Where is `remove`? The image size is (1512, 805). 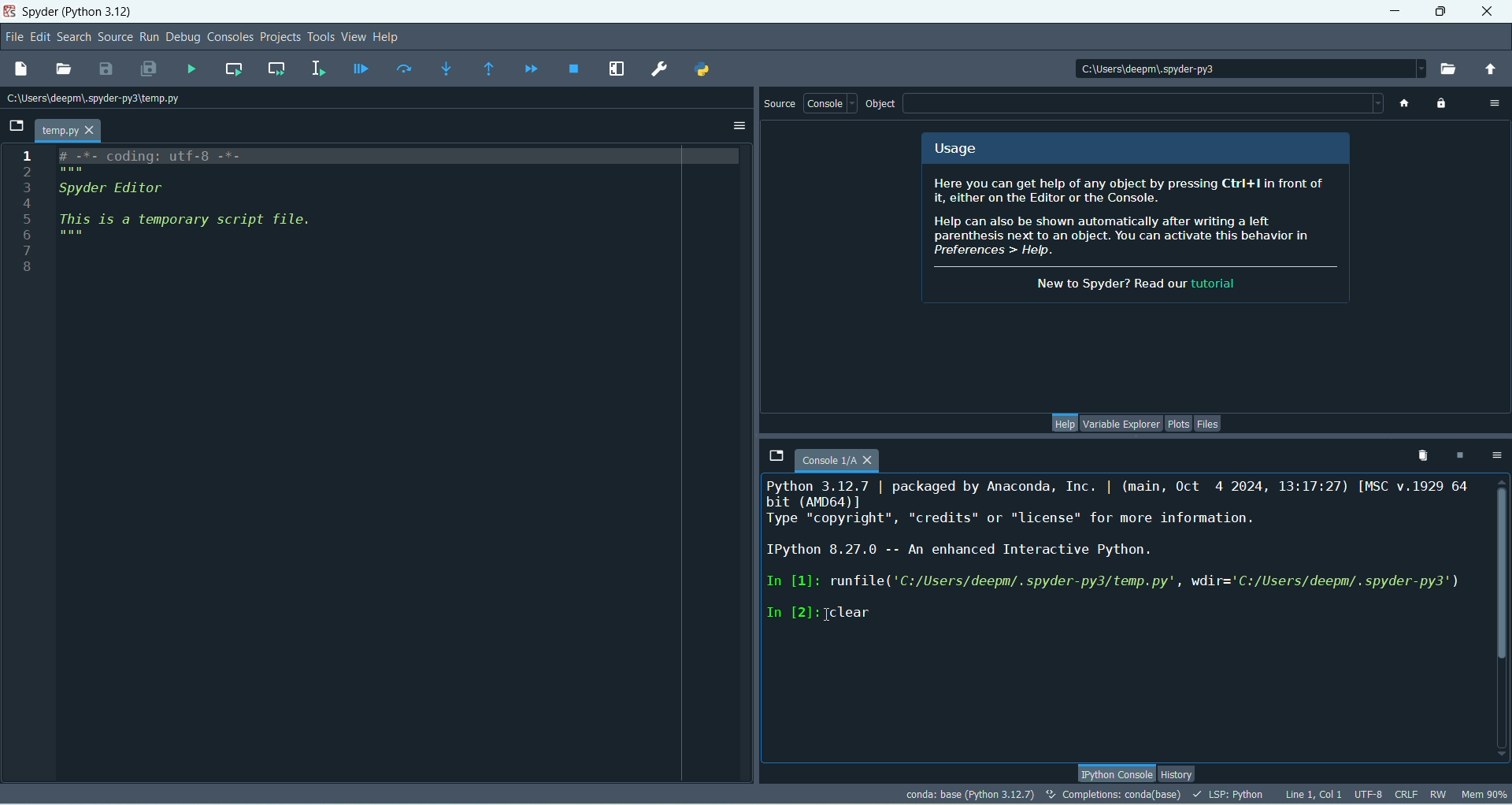
remove is located at coordinates (1419, 454).